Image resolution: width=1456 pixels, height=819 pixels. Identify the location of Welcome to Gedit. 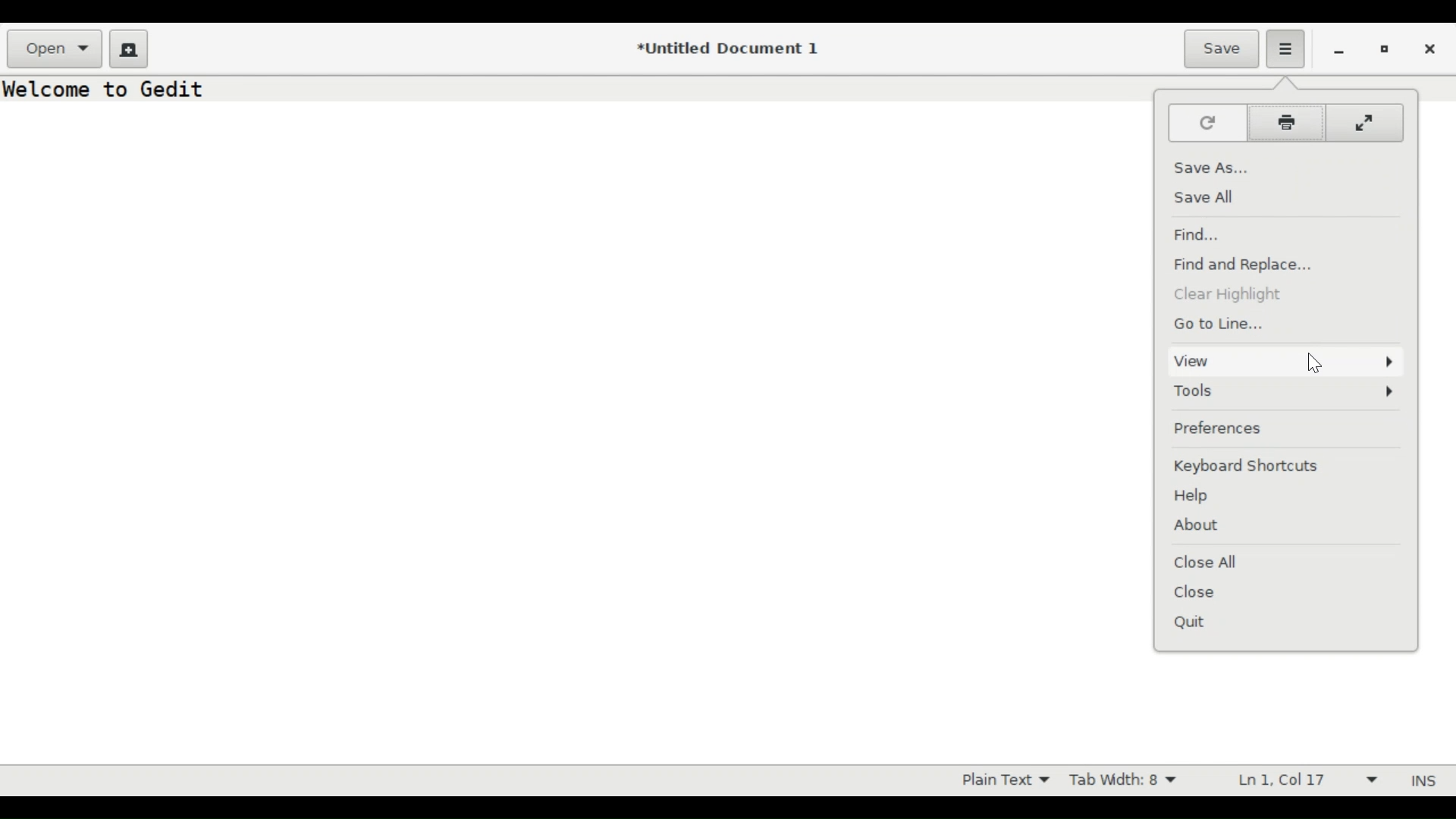
(108, 89).